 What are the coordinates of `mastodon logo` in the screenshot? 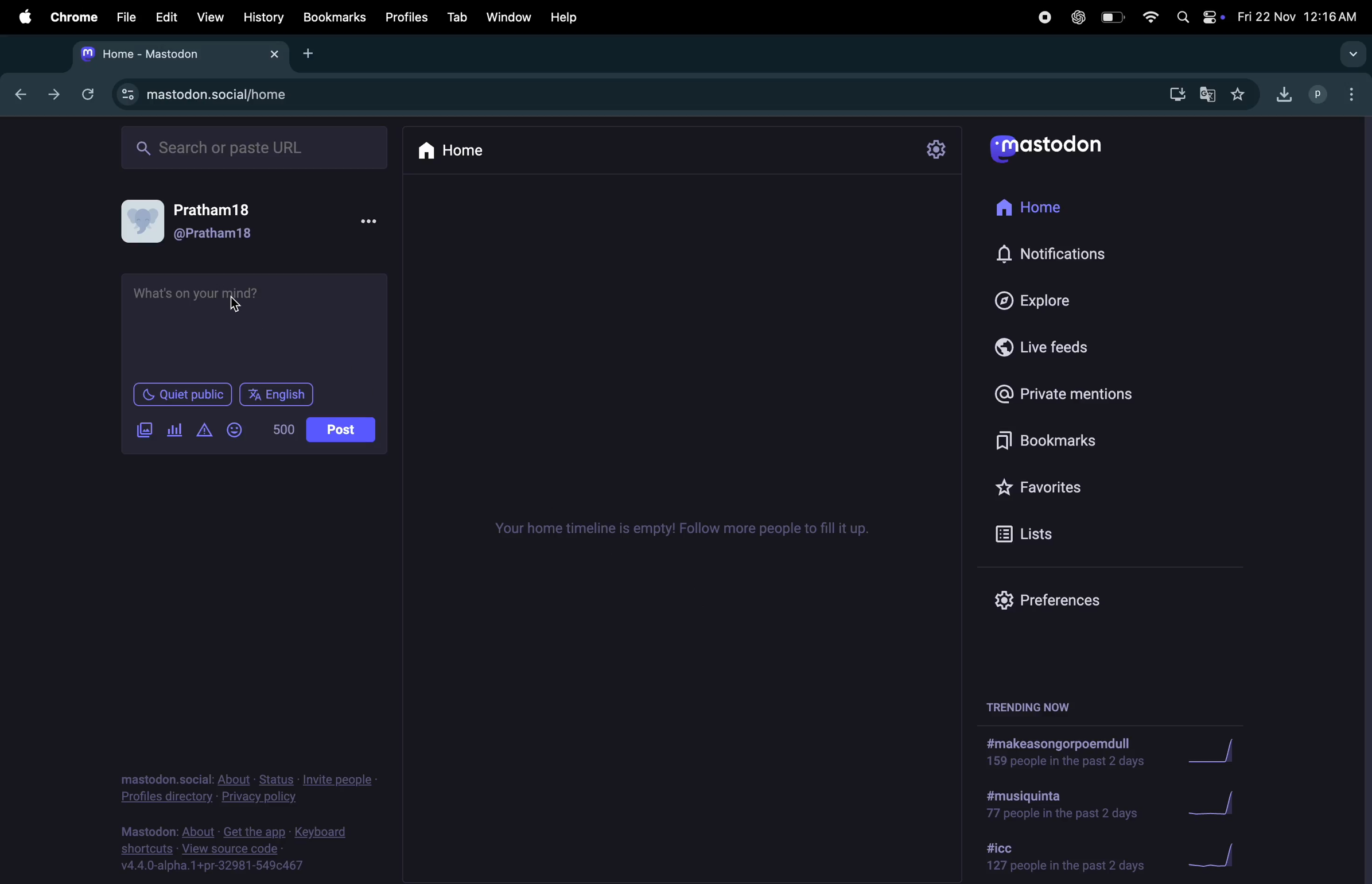 It's located at (1061, 146).